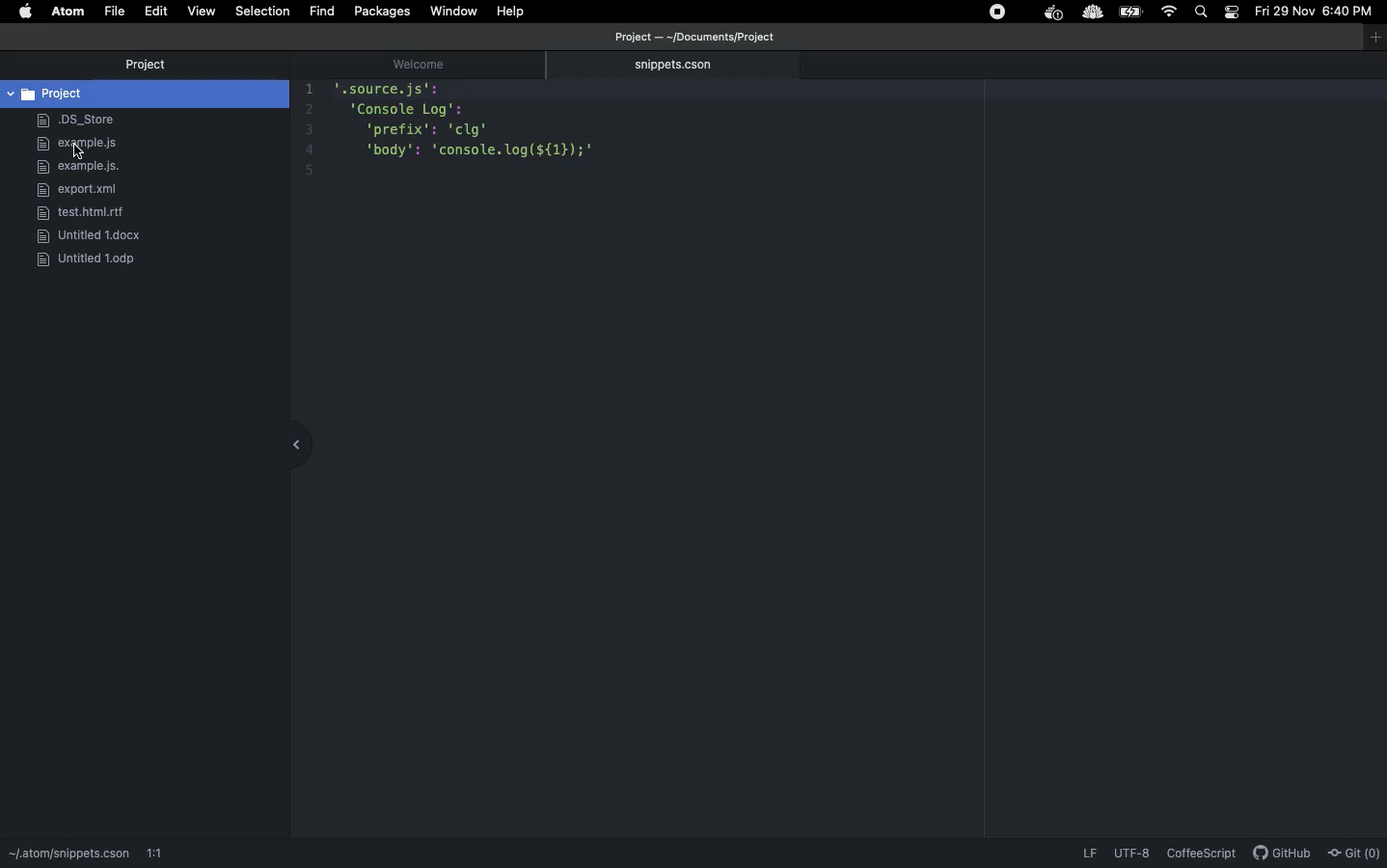 This screenshot has width=1387, height=868. I want to click on GitHub, so click(1280, 854).